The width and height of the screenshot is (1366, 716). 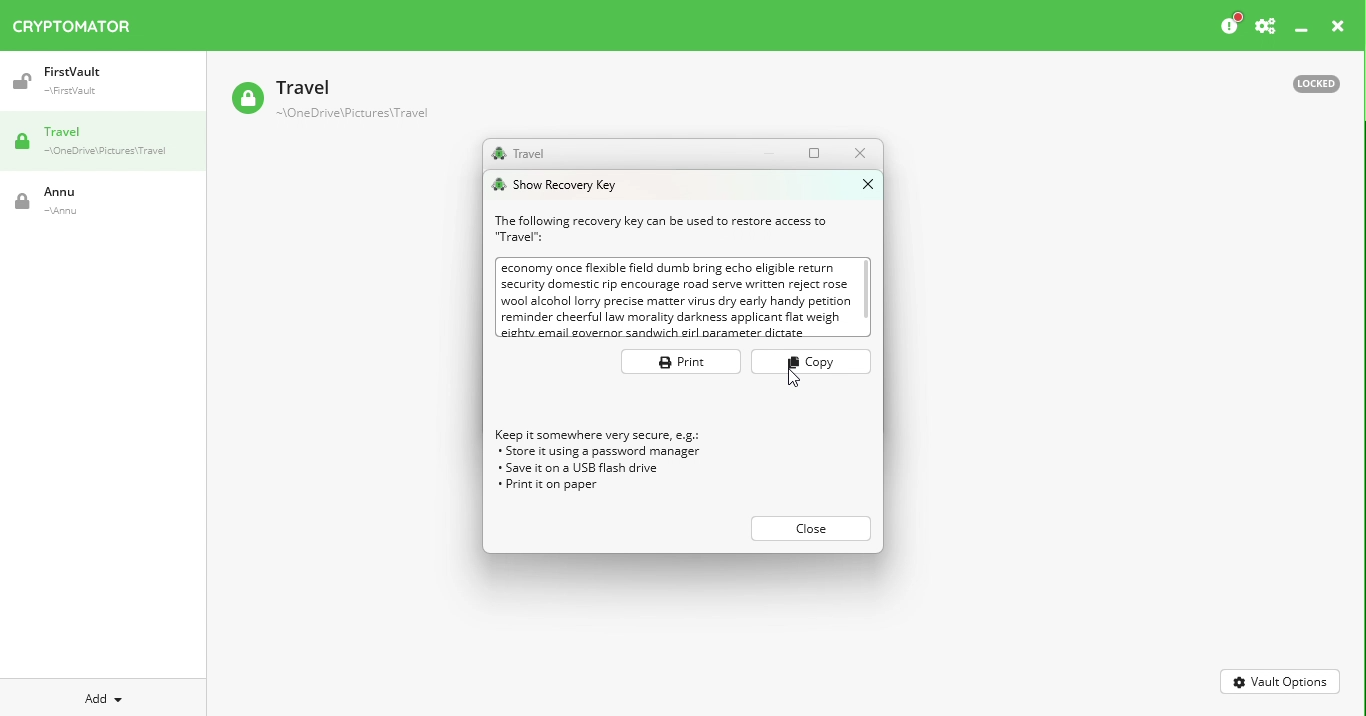 What do you see at coordinates (816, 363) in the screenshot?
I see `Copy` at bounding box center [816, 363].